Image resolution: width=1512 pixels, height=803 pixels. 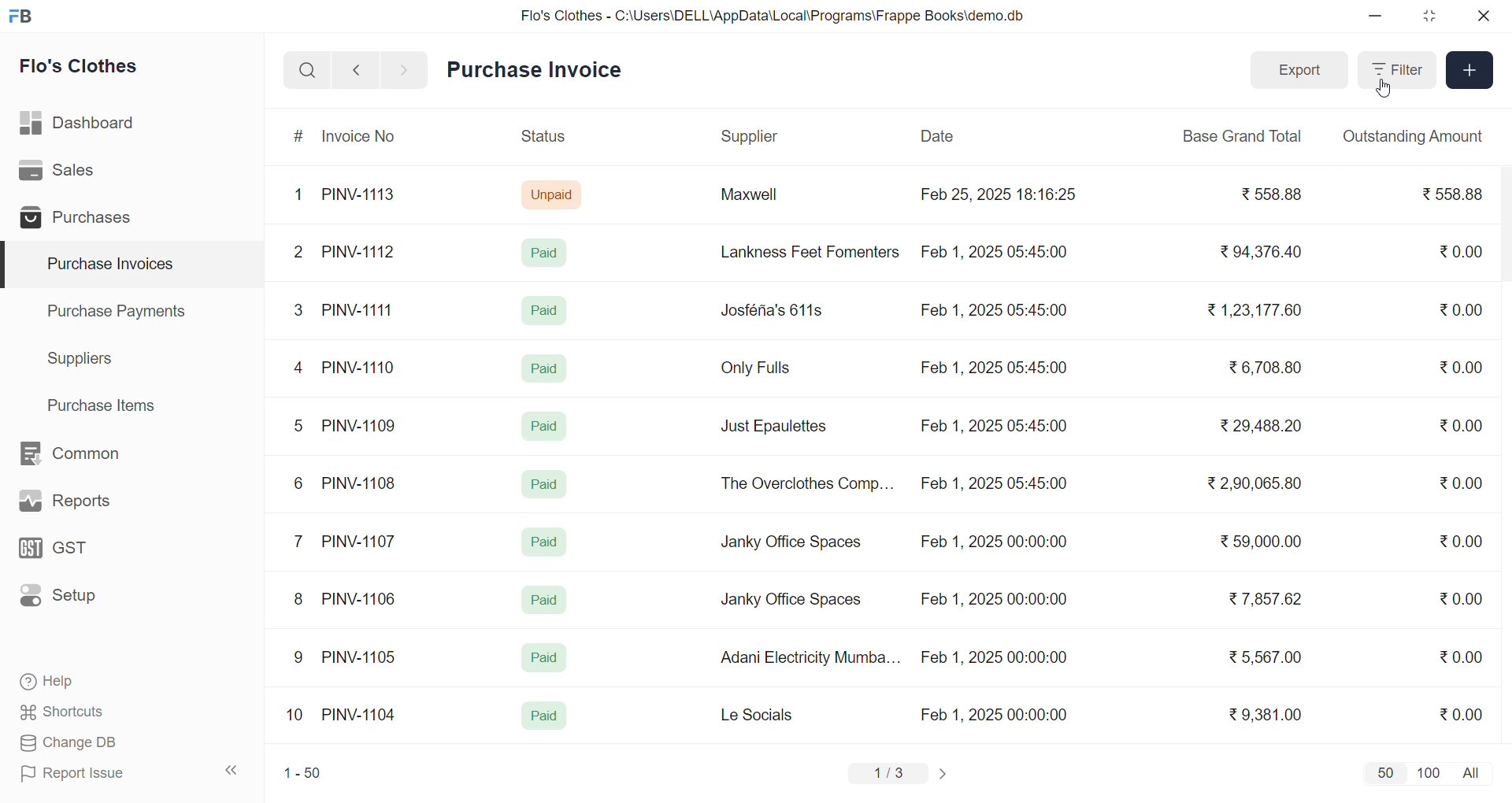 What do you see at coordinates (302, 368) in the screenshot?
I see `4` at bounding box center [302, 368].